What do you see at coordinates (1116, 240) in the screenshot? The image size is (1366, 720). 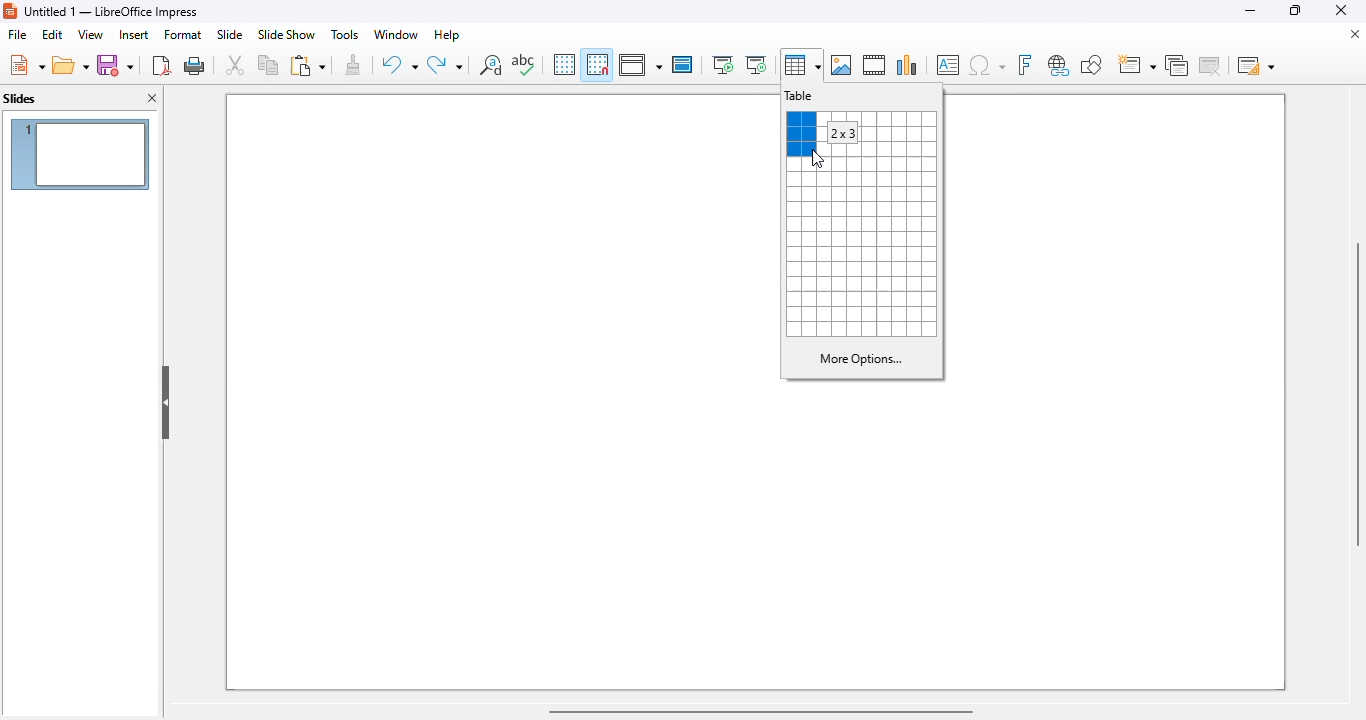 I see `slide 1` at bounding box center [1116, 240].